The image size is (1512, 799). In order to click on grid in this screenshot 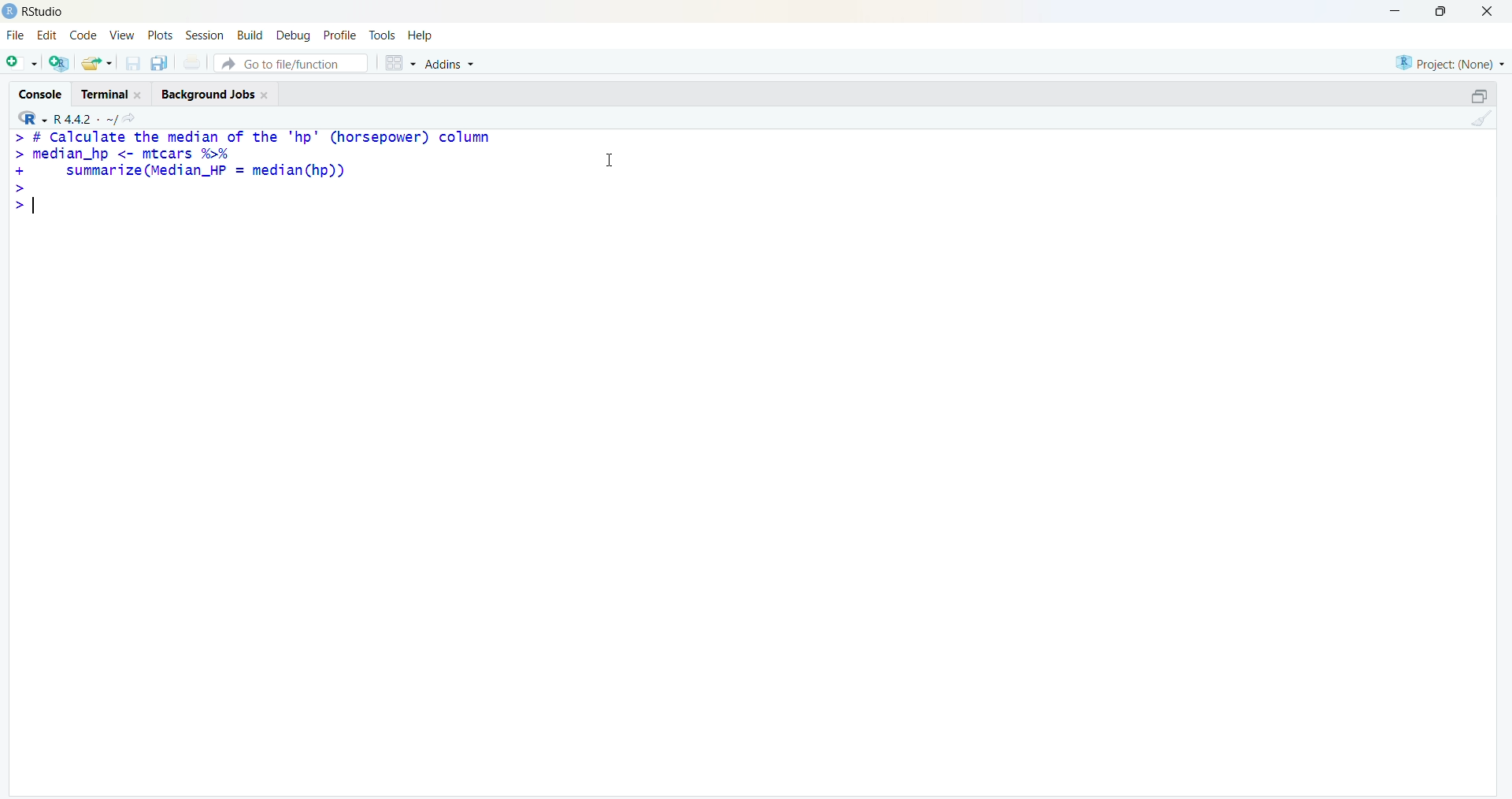, I will do `click(401, 62)`.